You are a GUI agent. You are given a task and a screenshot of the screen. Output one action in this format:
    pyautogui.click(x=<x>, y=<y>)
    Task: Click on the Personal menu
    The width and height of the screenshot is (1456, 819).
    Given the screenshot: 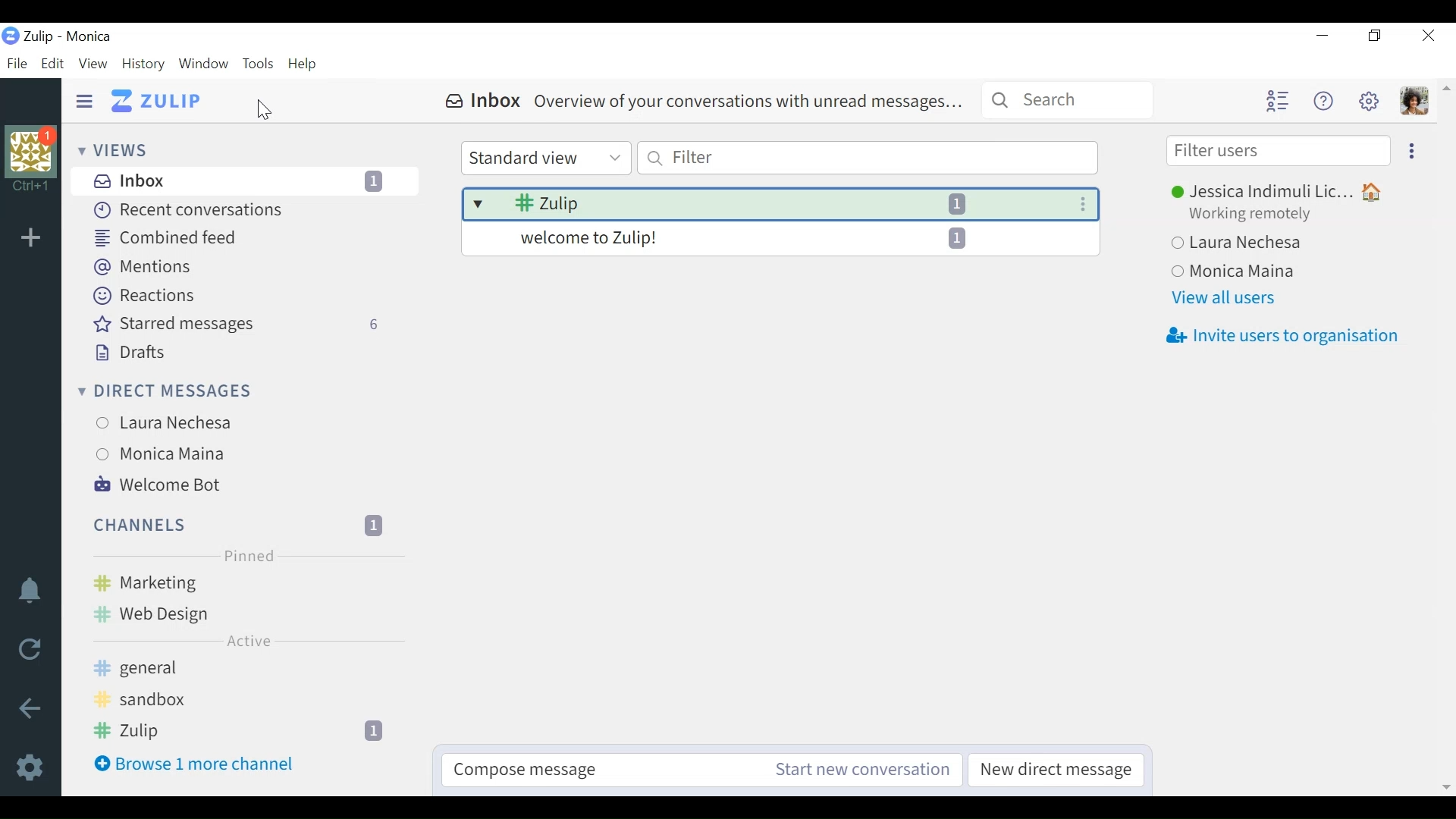 What is the action you would take?
    pyautogui.click(x=1414, y=101)
    